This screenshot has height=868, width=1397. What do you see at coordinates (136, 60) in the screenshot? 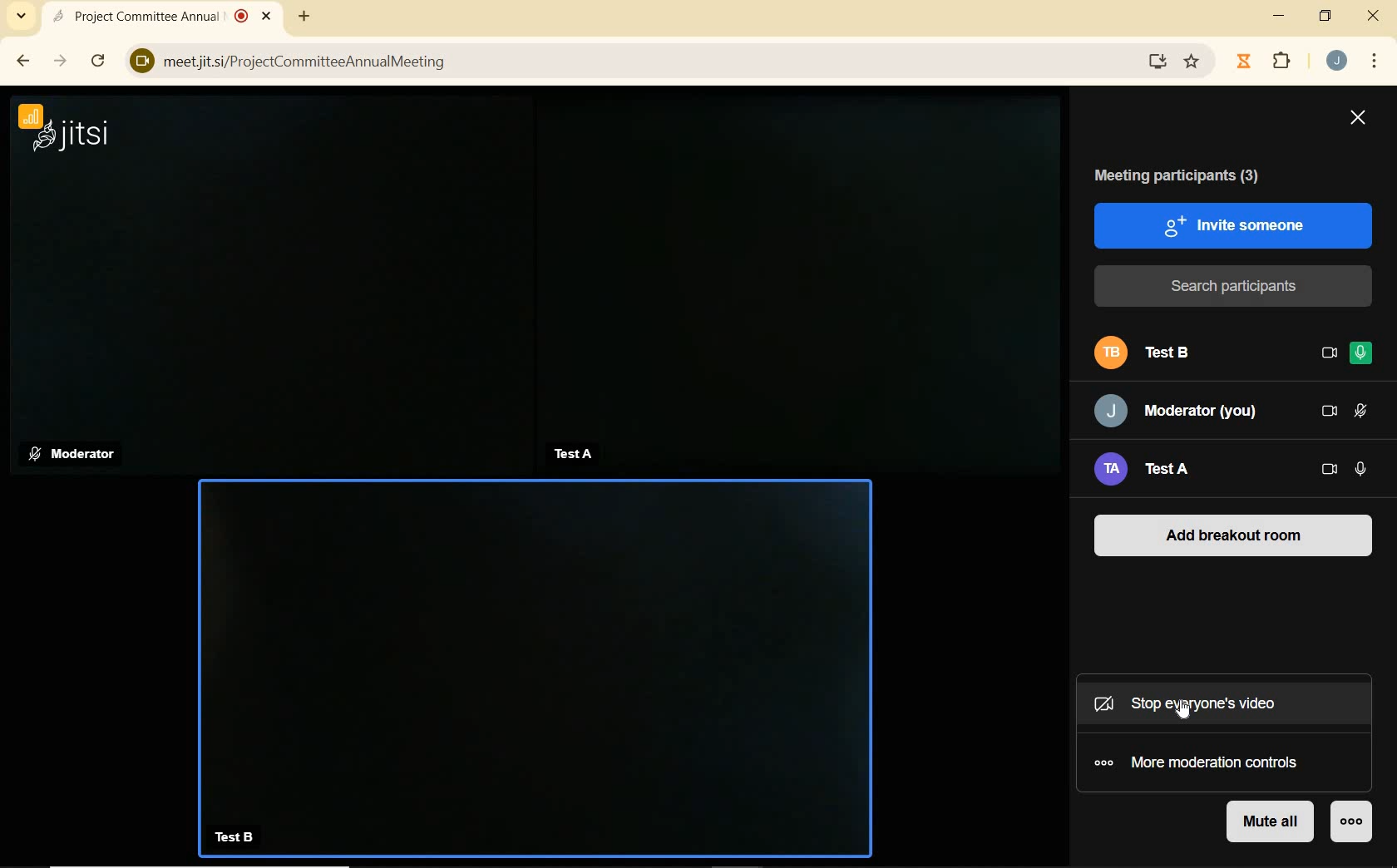
I see `View site information` at bounding box center [136, 60].